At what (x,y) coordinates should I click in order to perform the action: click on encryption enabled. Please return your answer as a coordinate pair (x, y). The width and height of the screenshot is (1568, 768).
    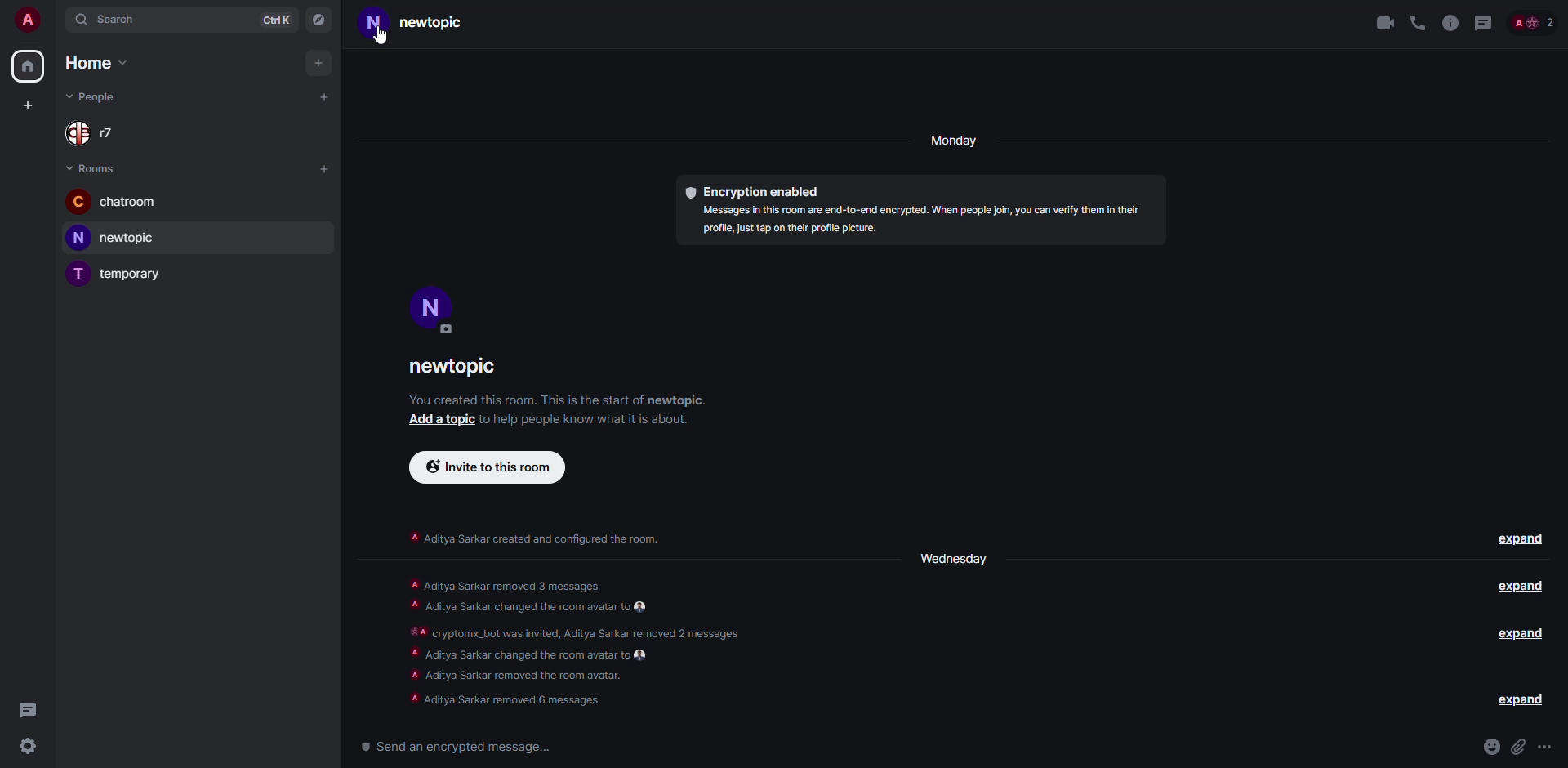
    Looking at the image, I should click on (753, 190).